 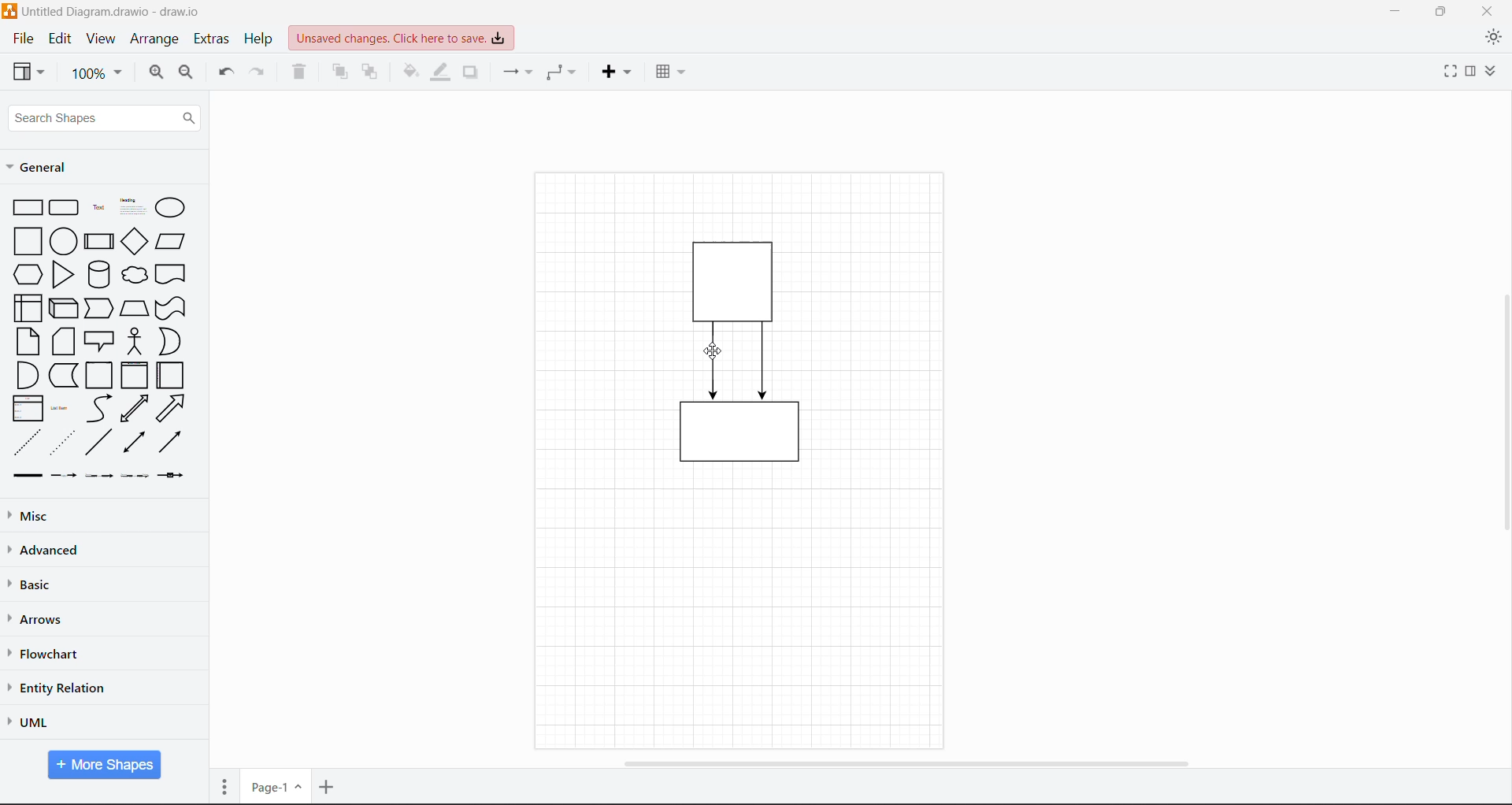 I want to click on Undo, so click(x=224, y=74).